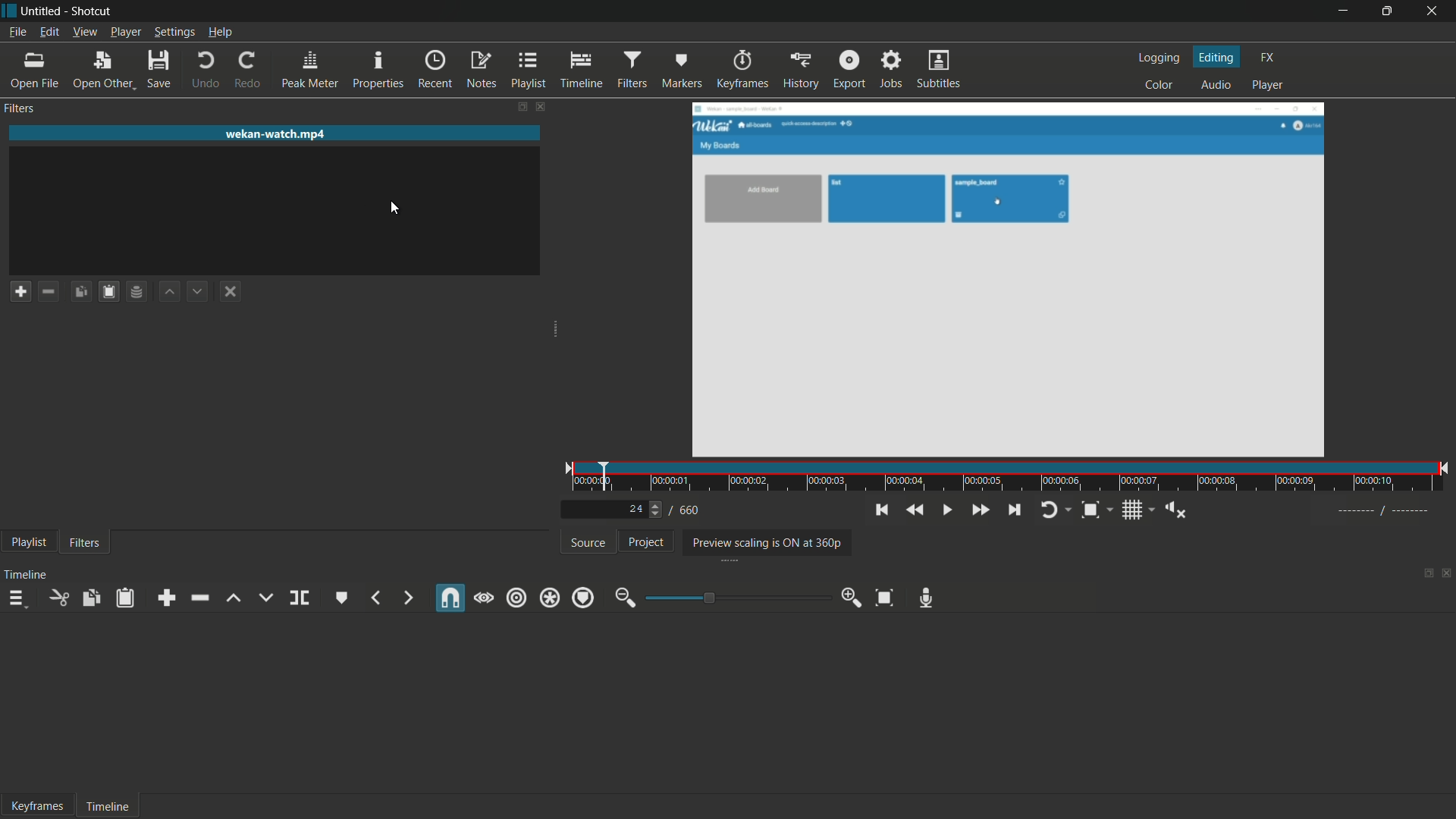 The height and width of the screenshot is (819, 1456). What do you see at coordinates (484, 598) in the screenshot?
I see `scrub while dragging` at bounding box center [484, 598].